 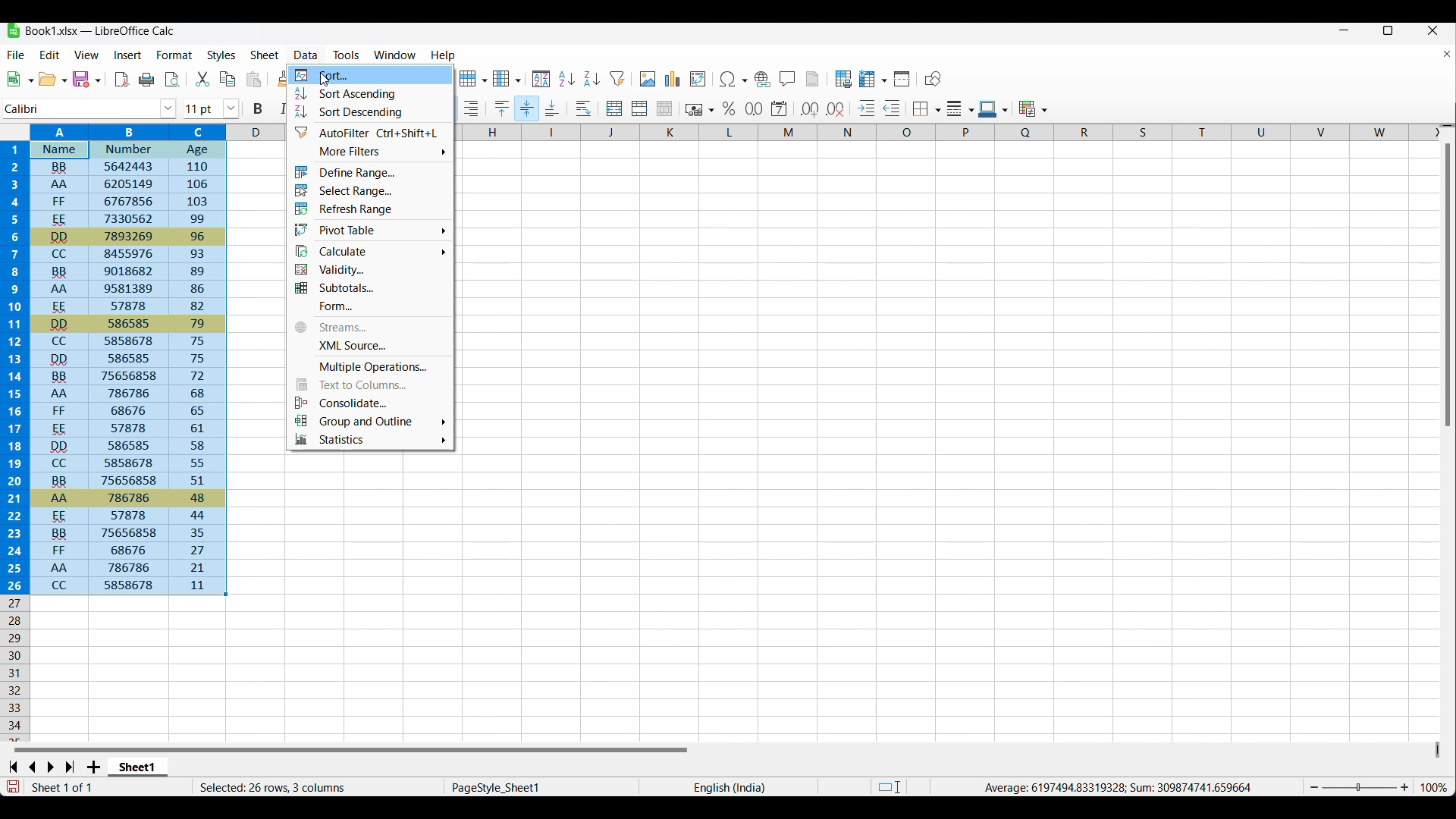 What do you see at coordinates (893, 108) in the screenshot?
I see `Decrease indentation` at bounding box center [893, 108].